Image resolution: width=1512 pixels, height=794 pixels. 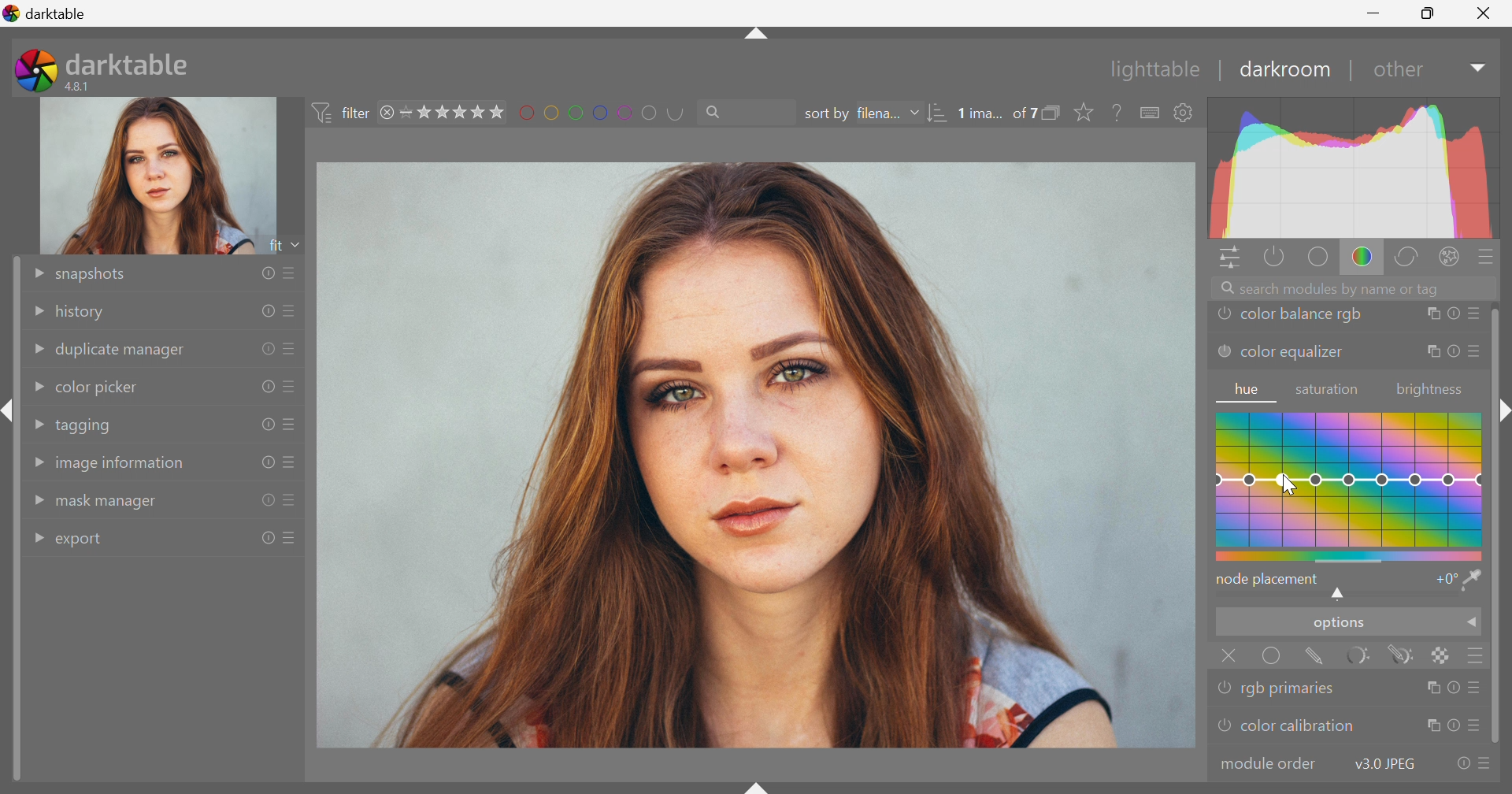 I want to click on multiple instance actions, so click(x=1429, y=688).